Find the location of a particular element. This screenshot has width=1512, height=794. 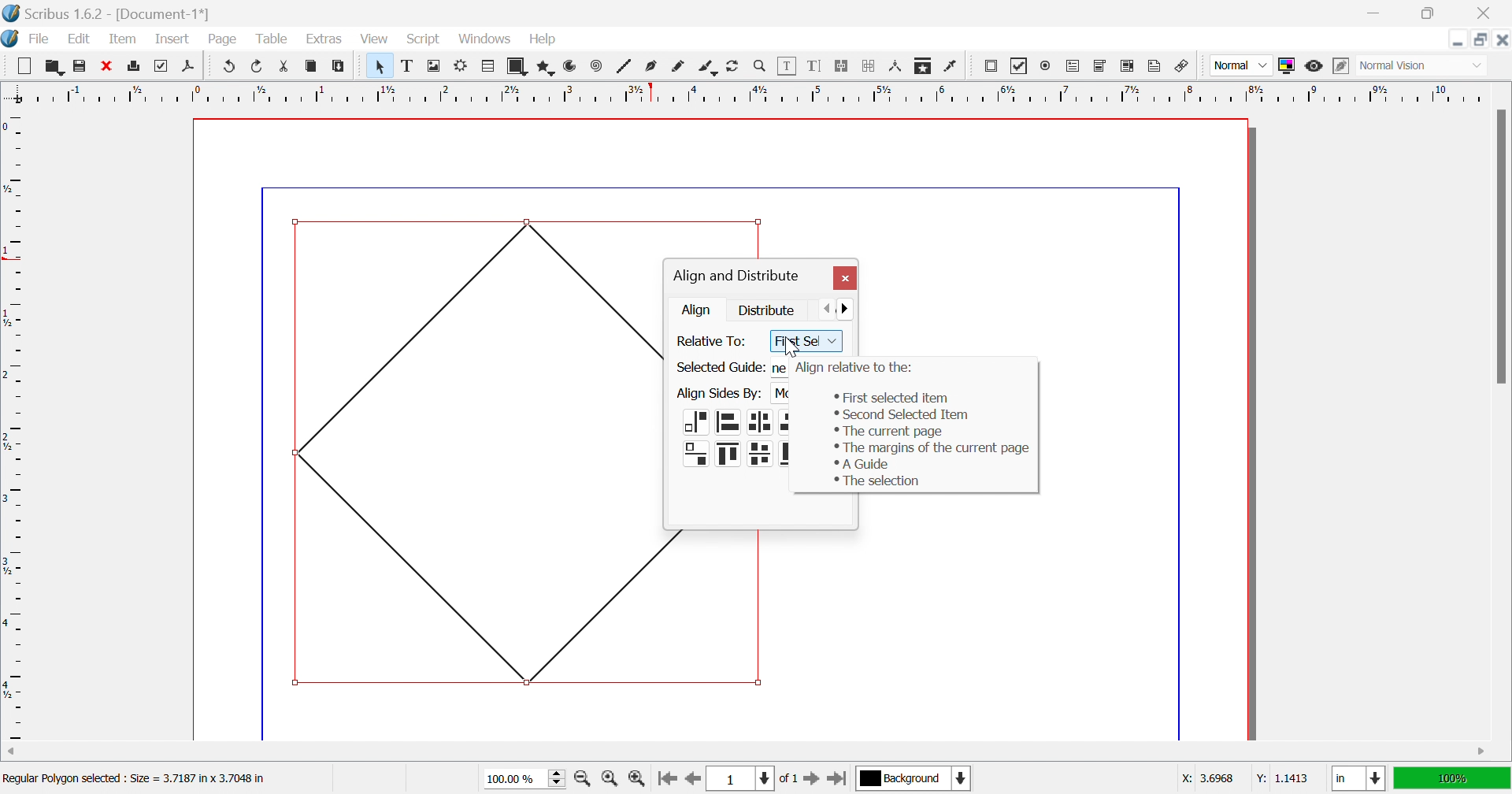

Previous is located at coordinates (829, 307).